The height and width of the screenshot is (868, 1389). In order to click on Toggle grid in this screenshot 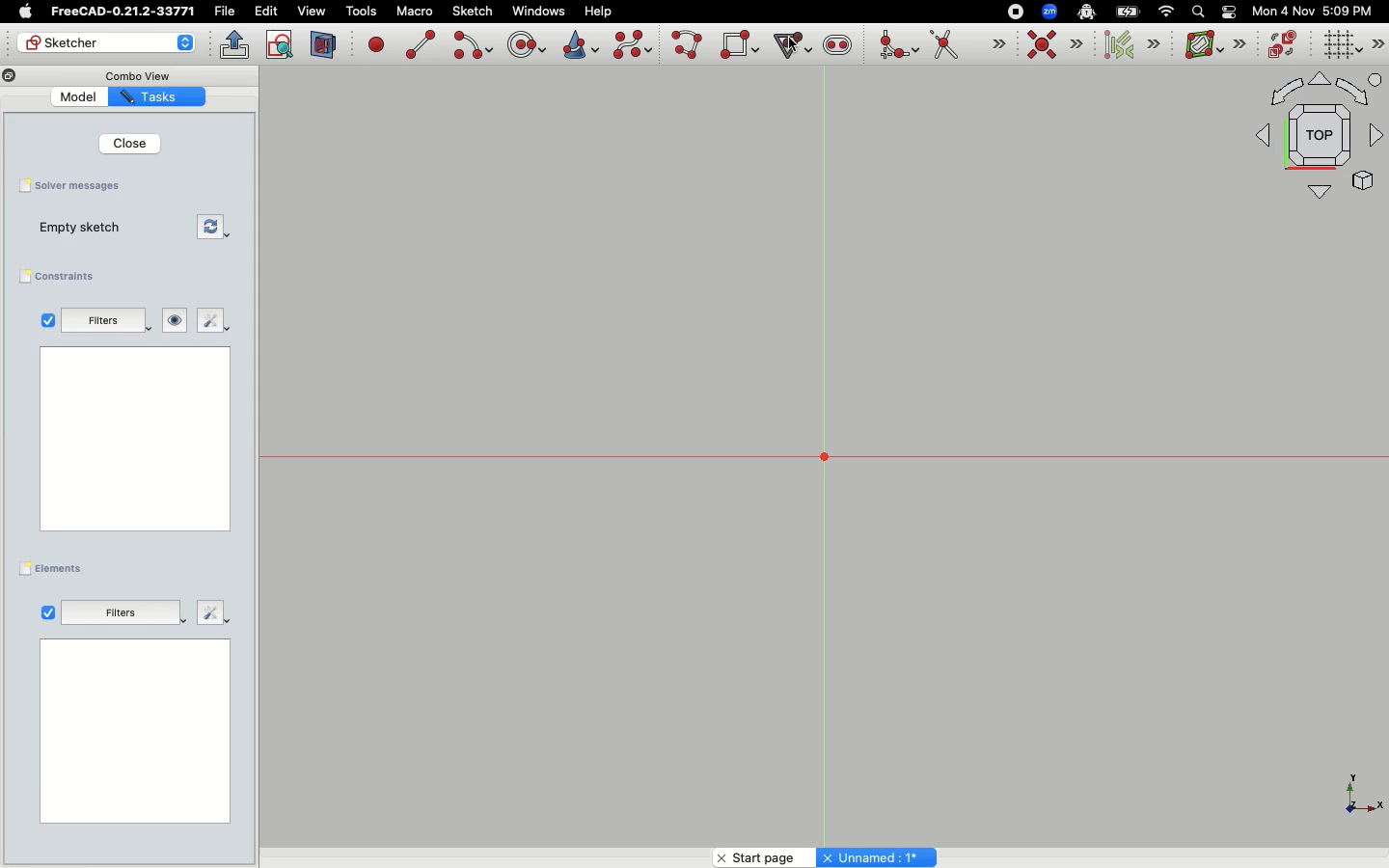, I will do `click(1343, 44)`.